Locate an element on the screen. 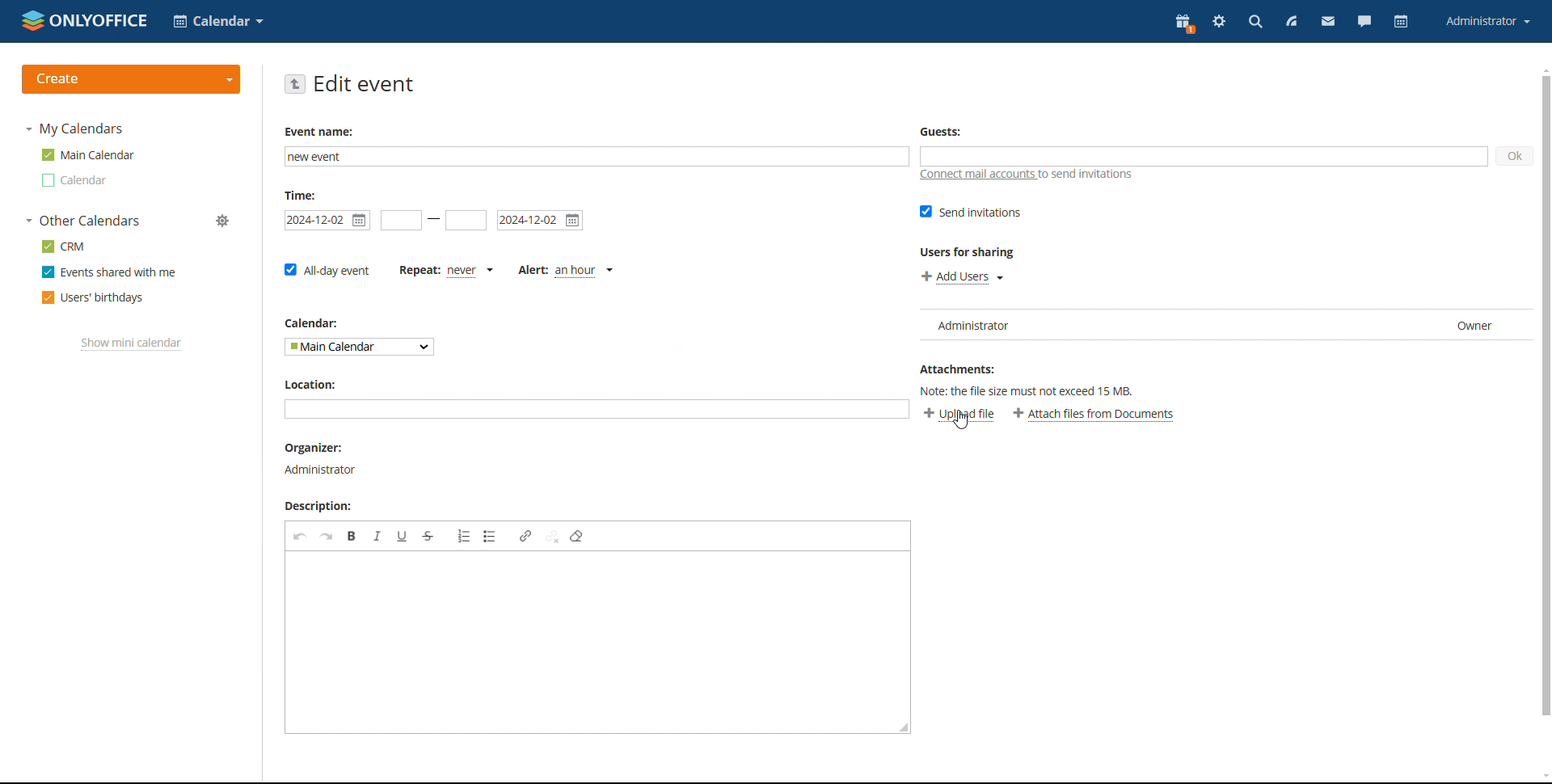 The image size is (1552, 784). my calendars is located at coordinates (73, 129).